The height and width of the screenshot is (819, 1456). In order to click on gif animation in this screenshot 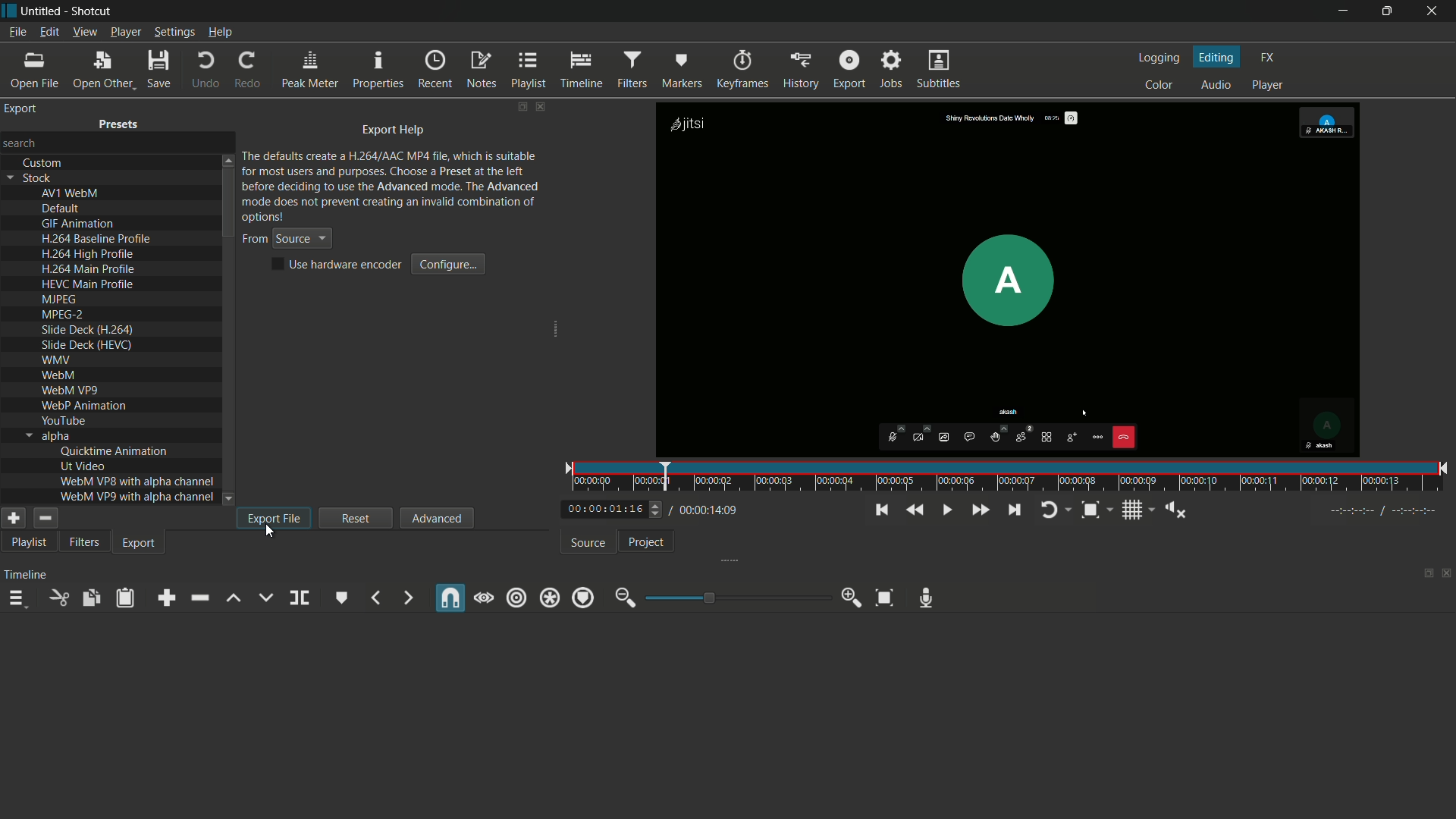, I will do `click(77, 224)`.